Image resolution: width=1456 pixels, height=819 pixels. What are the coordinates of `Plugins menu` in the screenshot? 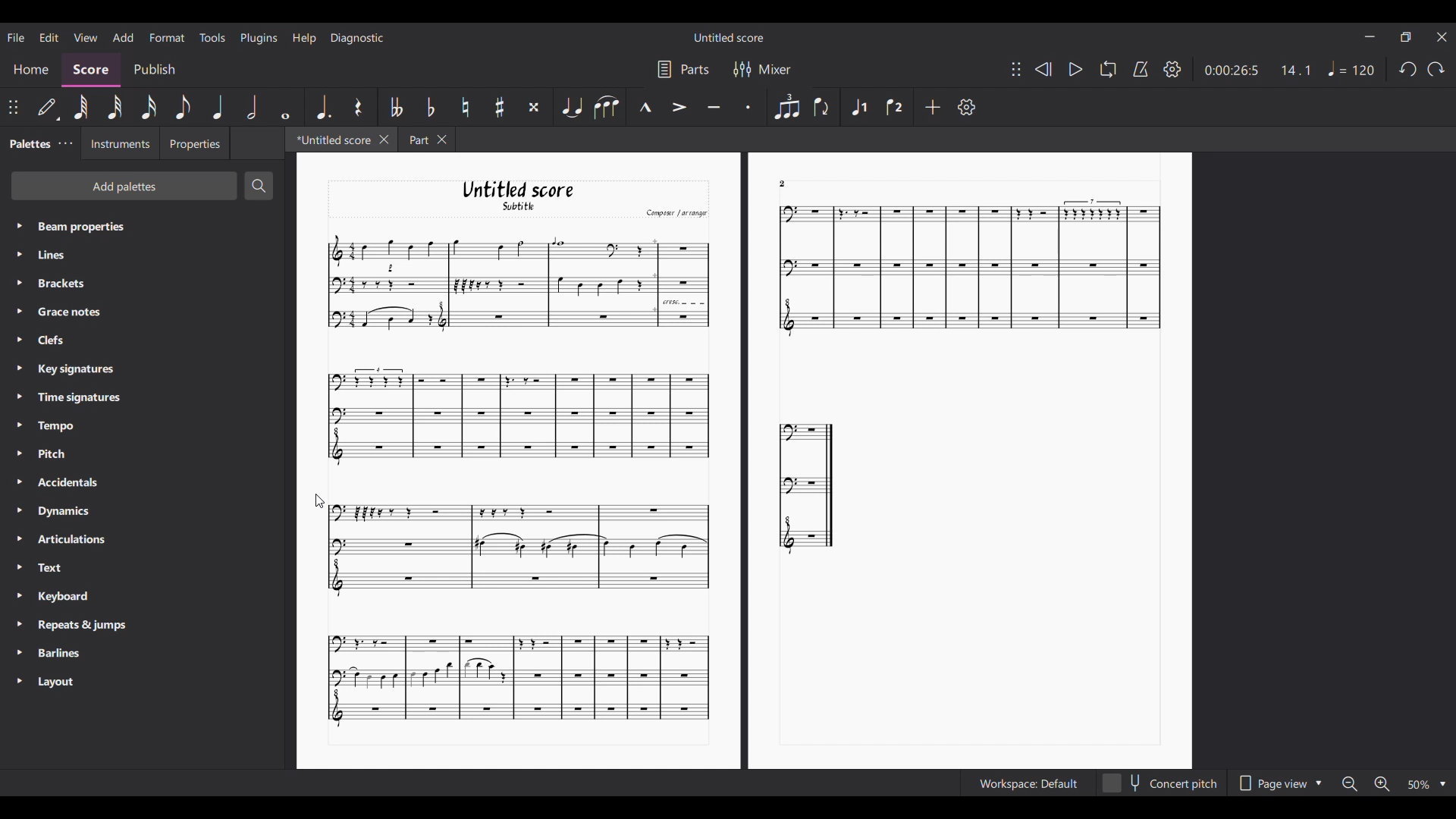 It's located at (259, 39).